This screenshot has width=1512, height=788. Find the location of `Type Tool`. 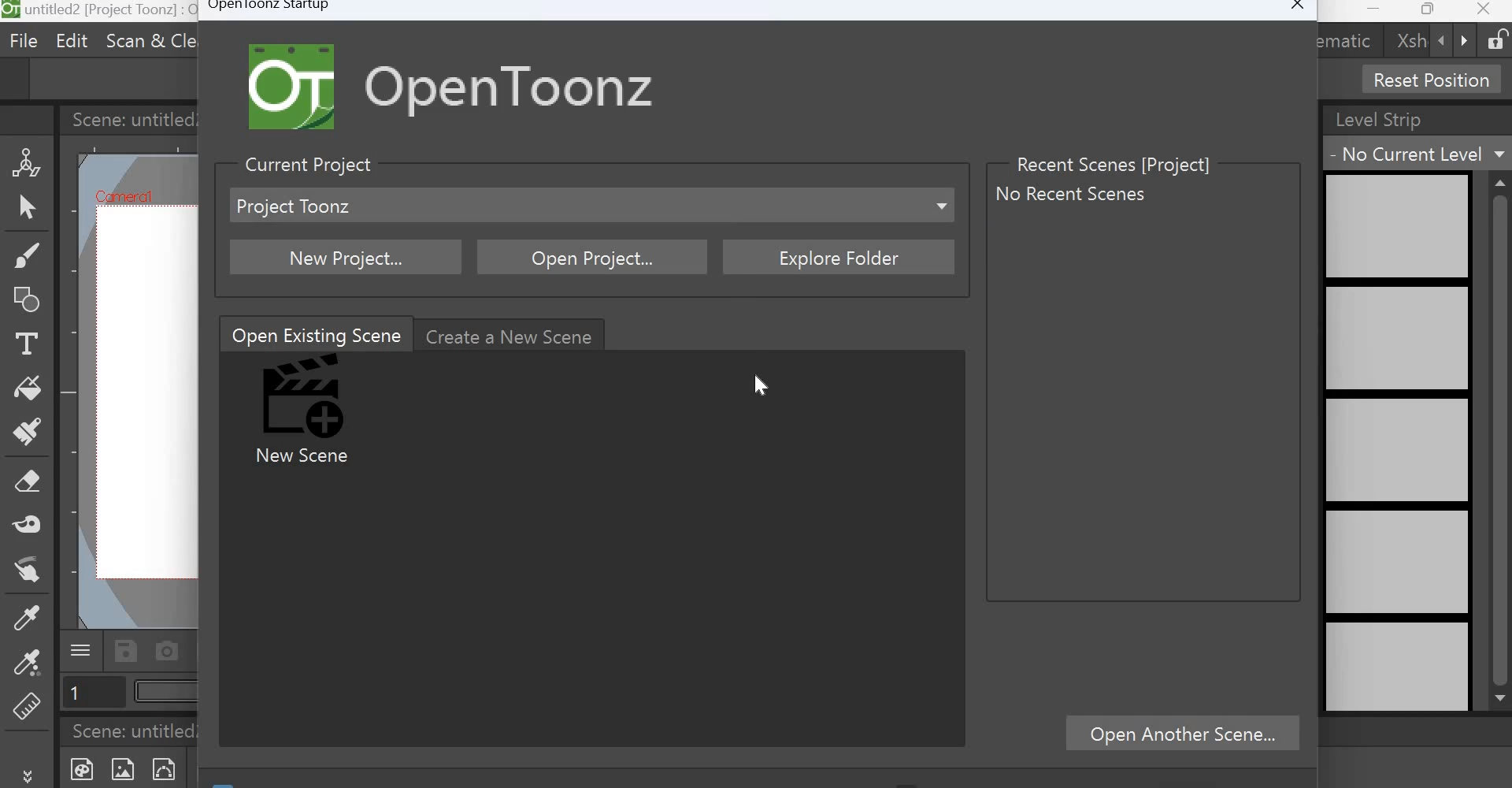

Type Tool is located at coordinates (24, 346).